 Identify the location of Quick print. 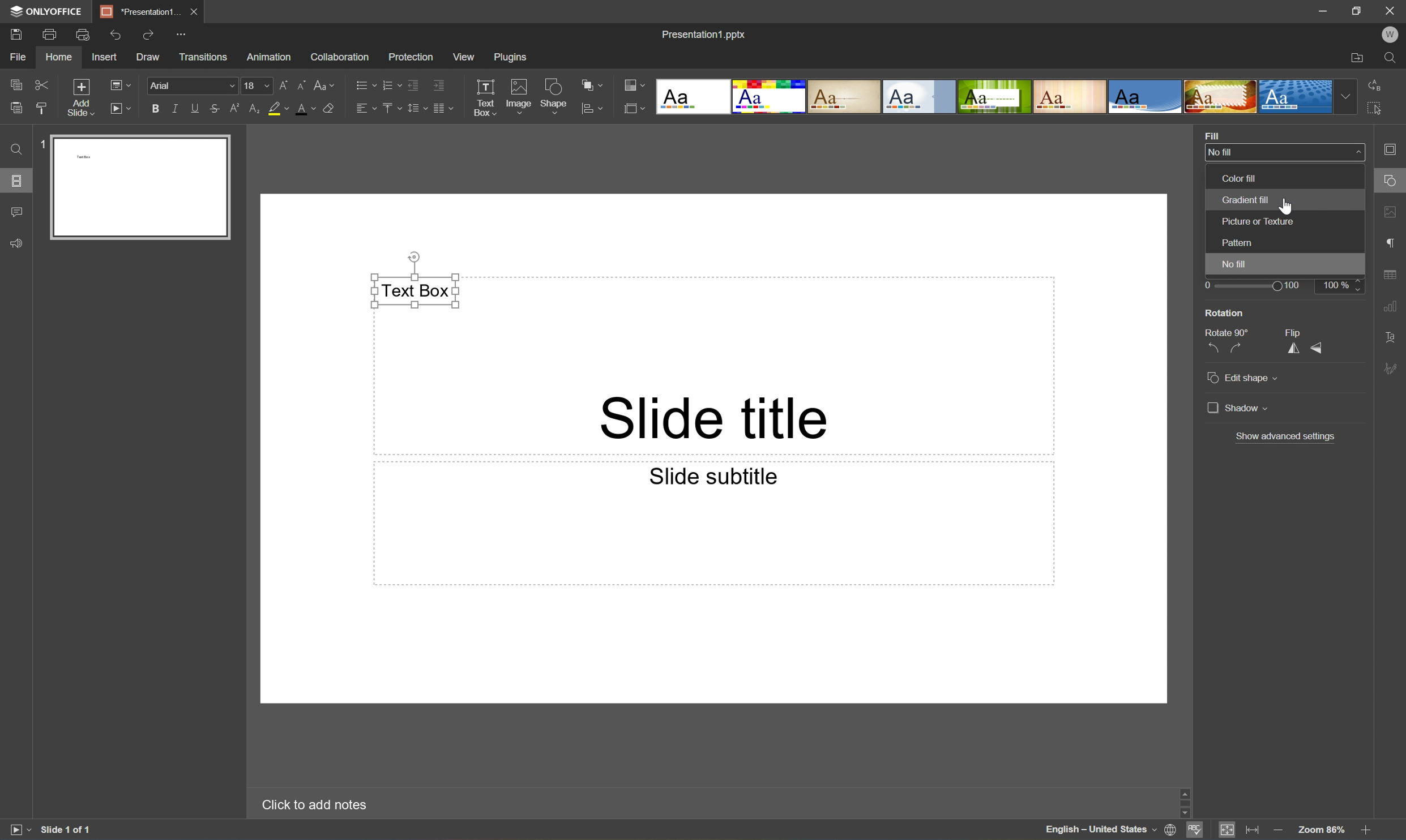
(81, 36).